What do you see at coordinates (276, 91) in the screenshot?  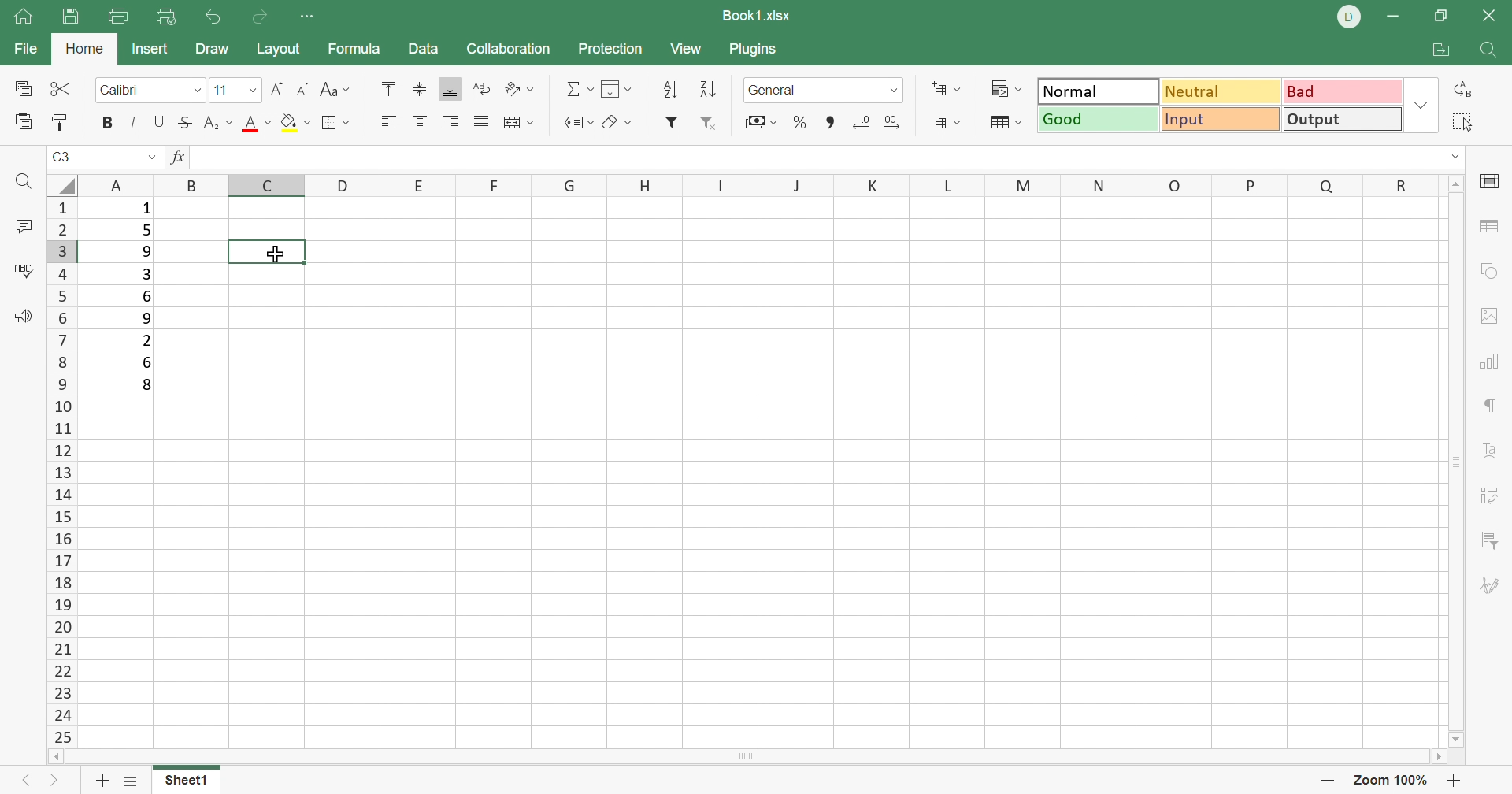 I see `Increment font size` at bounding box center [276, 91].